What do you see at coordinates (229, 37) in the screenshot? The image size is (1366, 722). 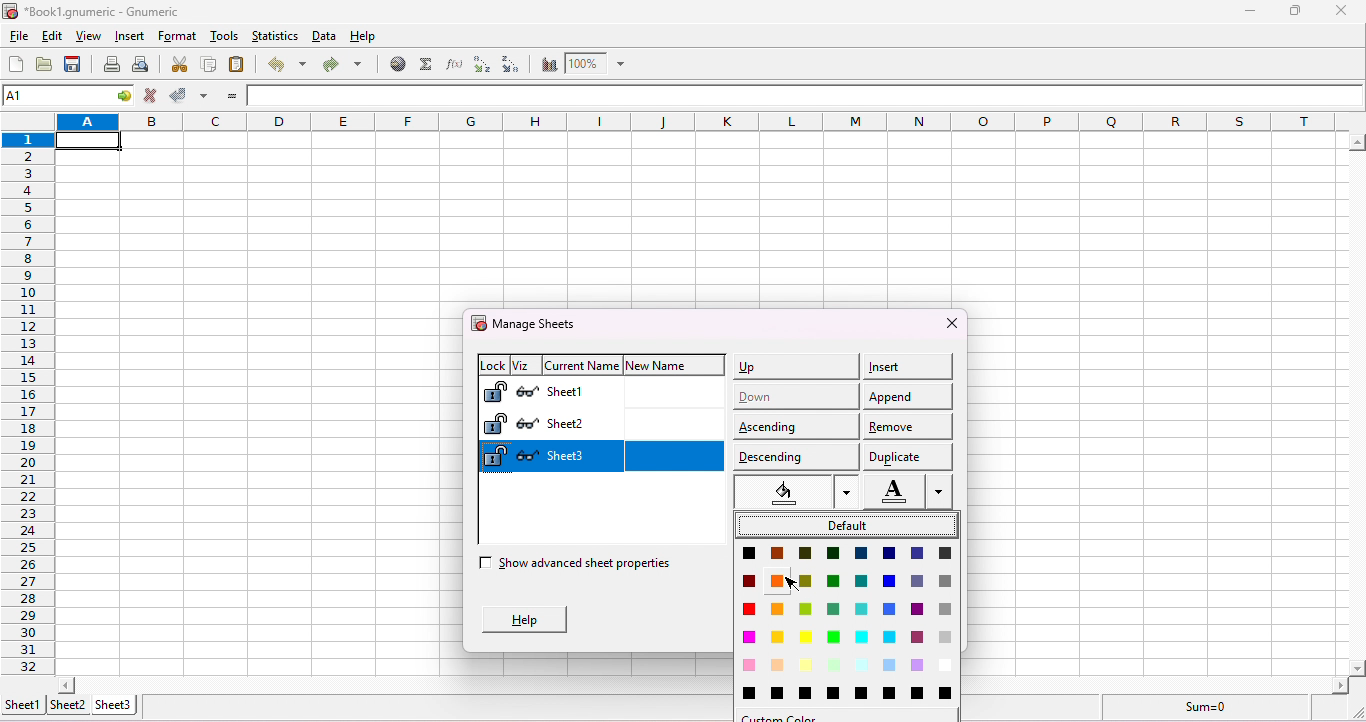 I see `tools` at bounding box center [229, 37].